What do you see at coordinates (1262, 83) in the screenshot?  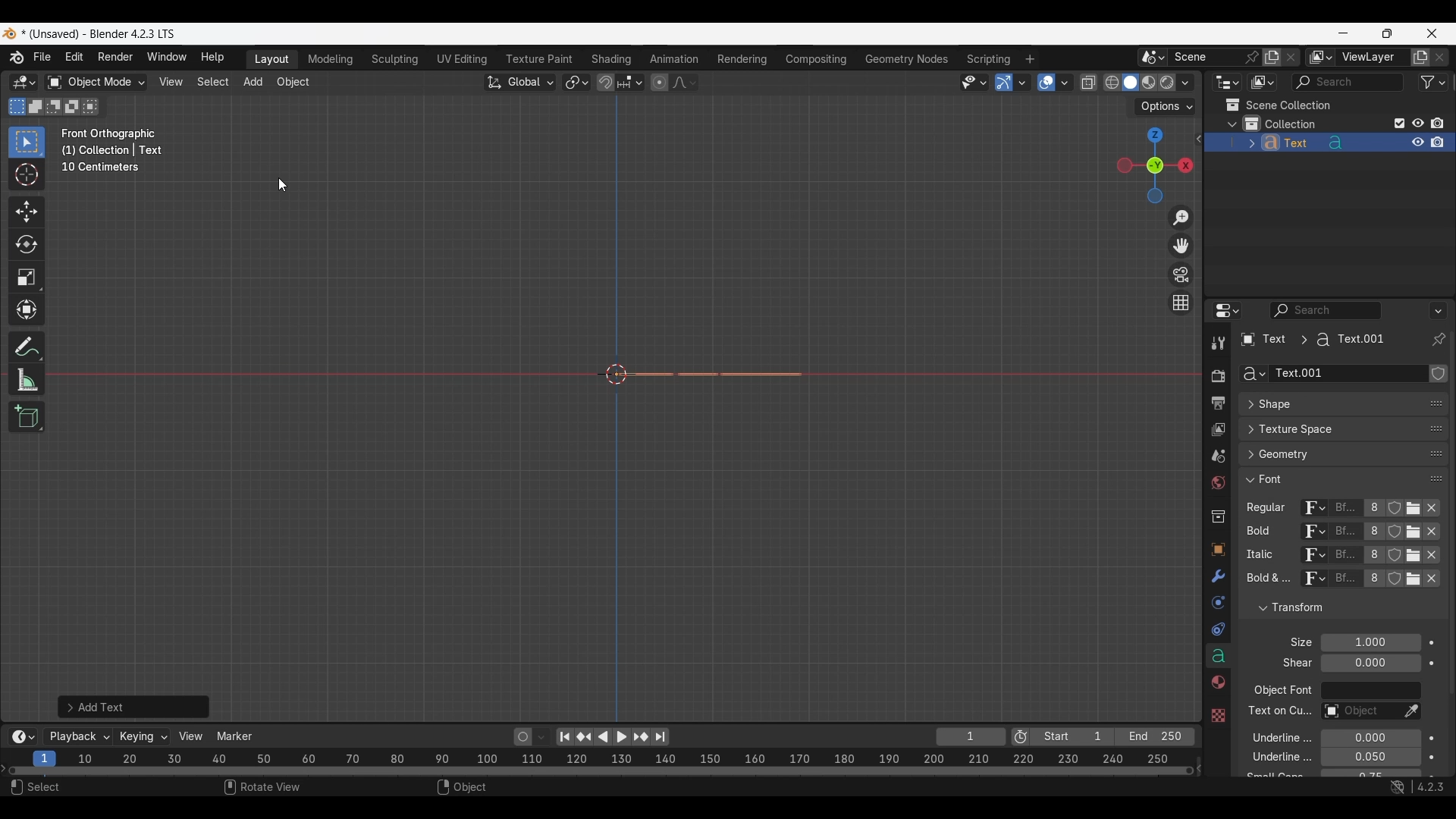 I see `Display mode` at bounding box center [1262, 83].